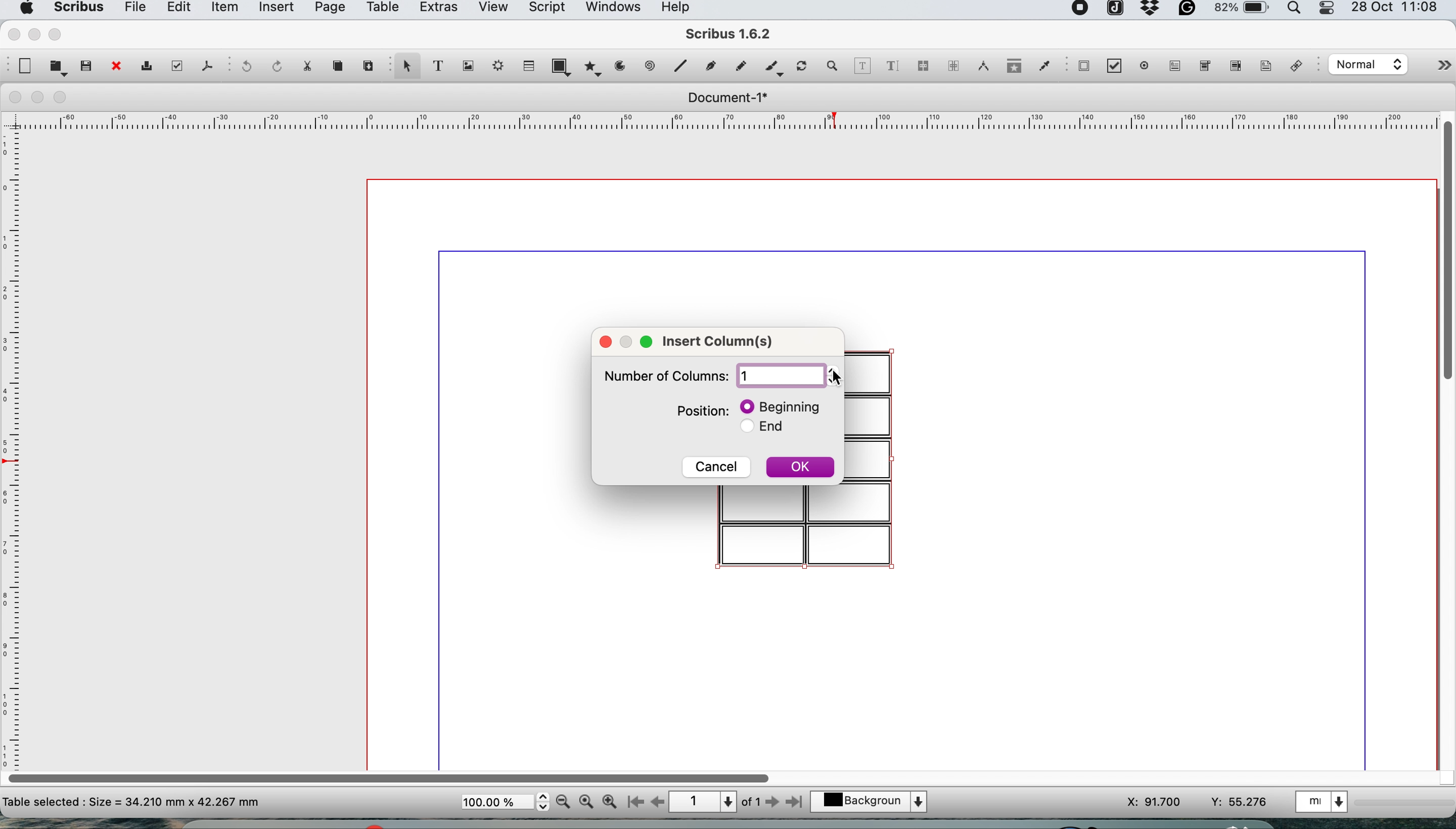  Describe the element at coordinates (274, 65) in the screenshot. I see `redo` at that location.